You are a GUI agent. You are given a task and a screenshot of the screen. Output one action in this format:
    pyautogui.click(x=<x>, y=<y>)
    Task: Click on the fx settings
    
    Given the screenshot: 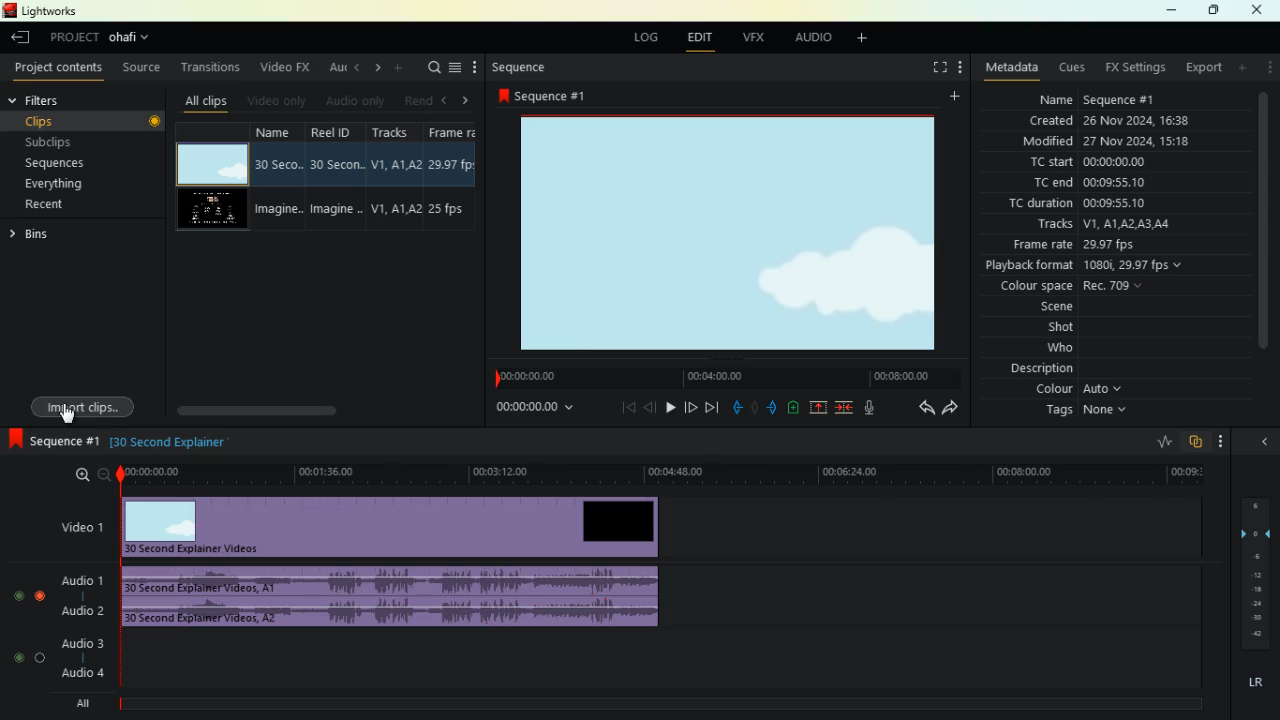 What is the action you would take?
    pyautogui.click(x=1134, y=68)
    